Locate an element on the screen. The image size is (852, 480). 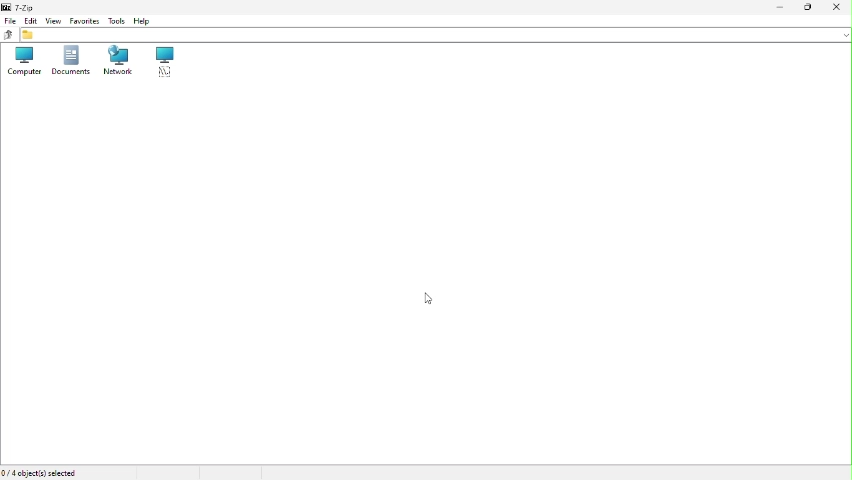
computer is located at coordinates (20, 62).